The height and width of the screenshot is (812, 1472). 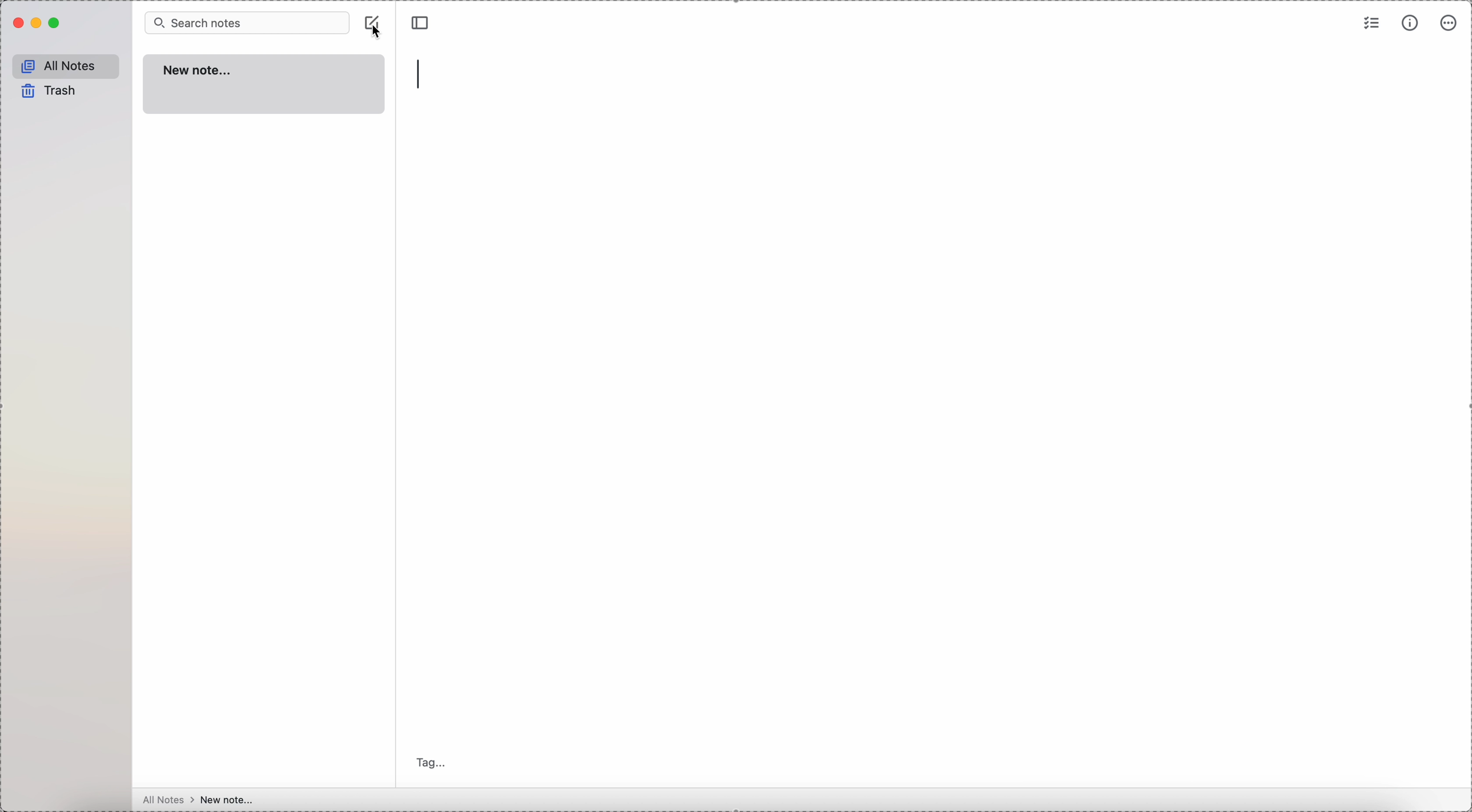 What do you see at coordinates (374, 34) in the screenshot?
I see `cursor` at bounding box center [374, 34].